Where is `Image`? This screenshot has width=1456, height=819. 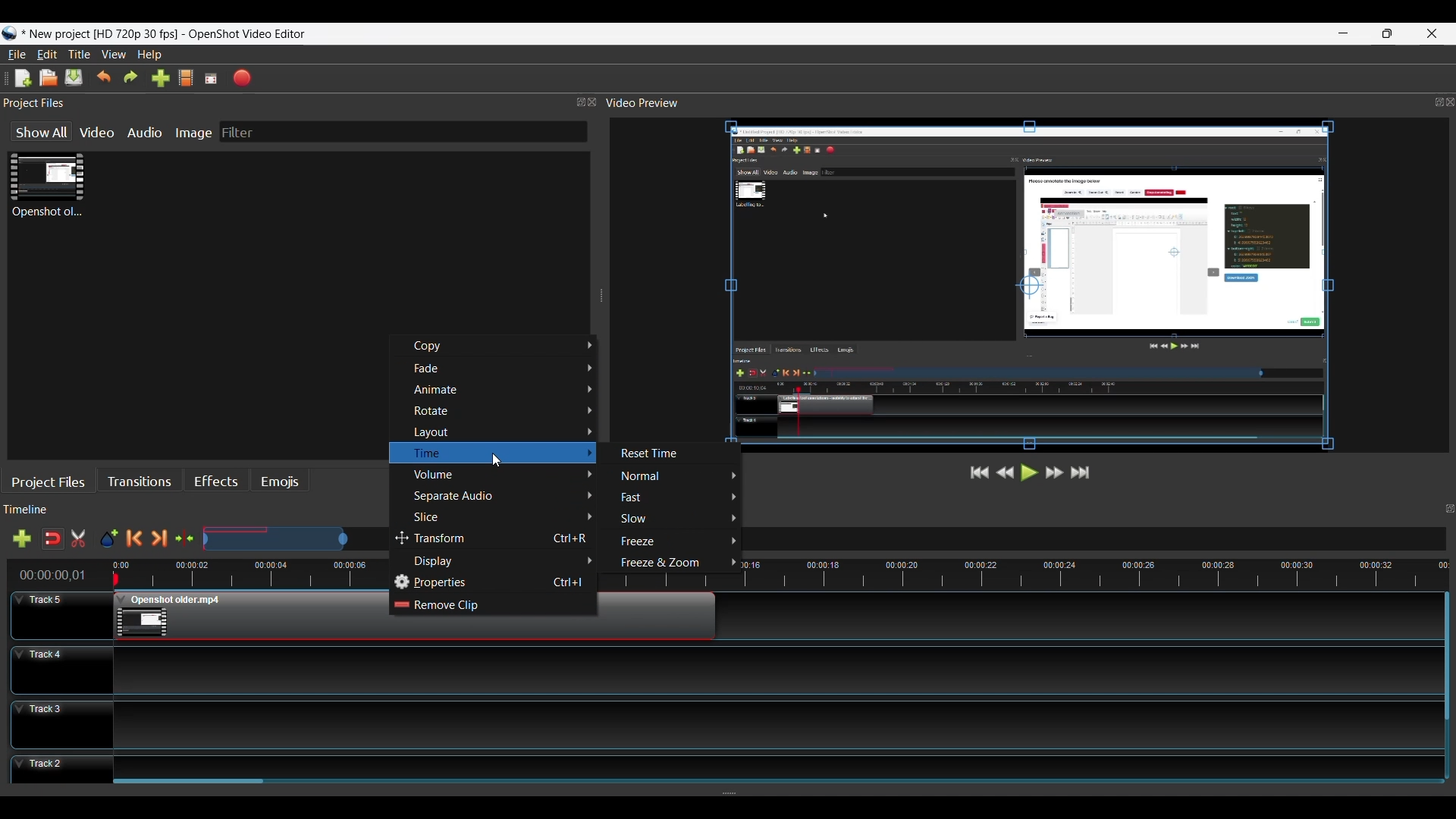
Image is located at coordinates (193, 133).